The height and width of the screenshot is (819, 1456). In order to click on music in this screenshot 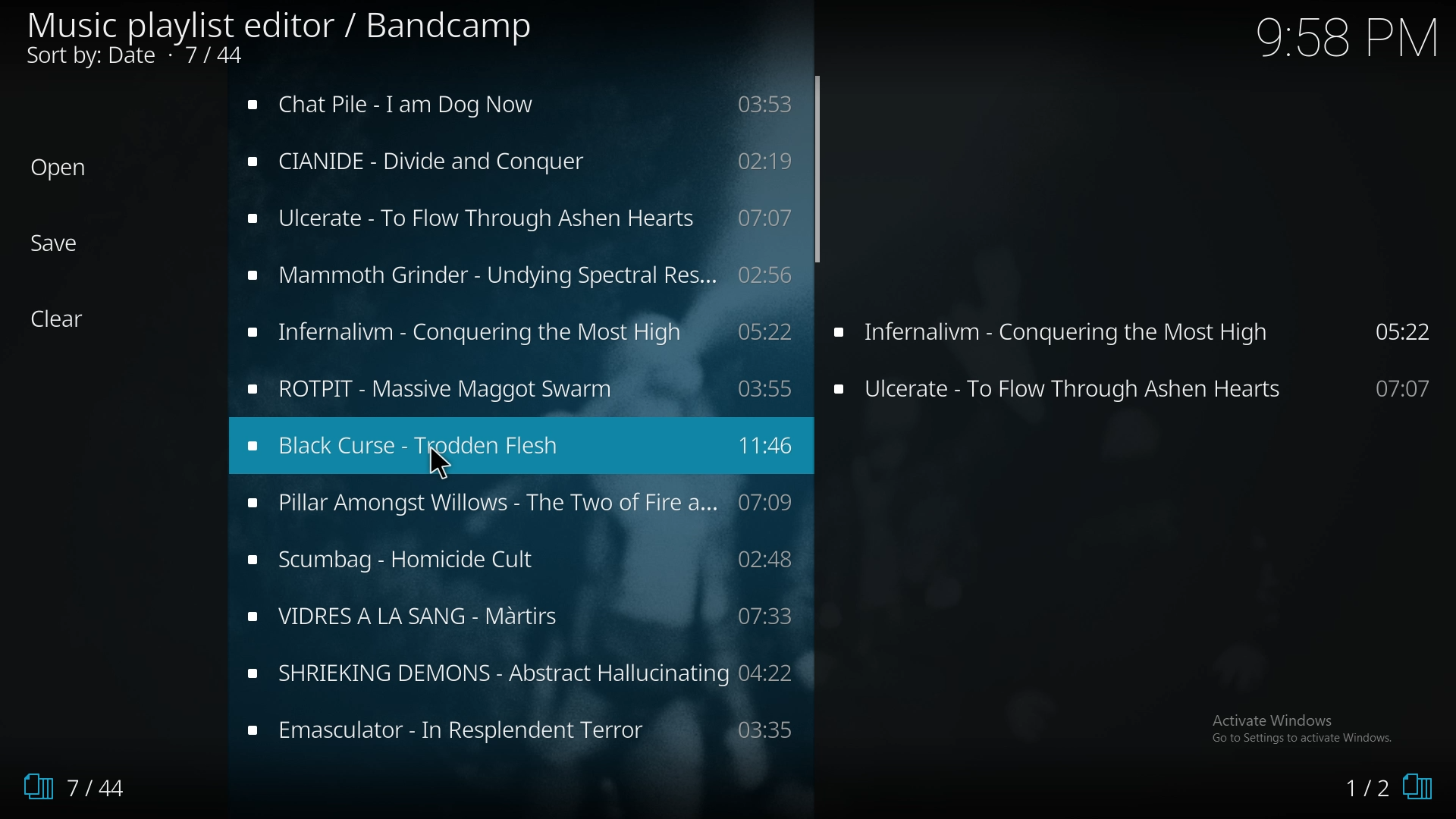, I will do `click(523, 616)`.